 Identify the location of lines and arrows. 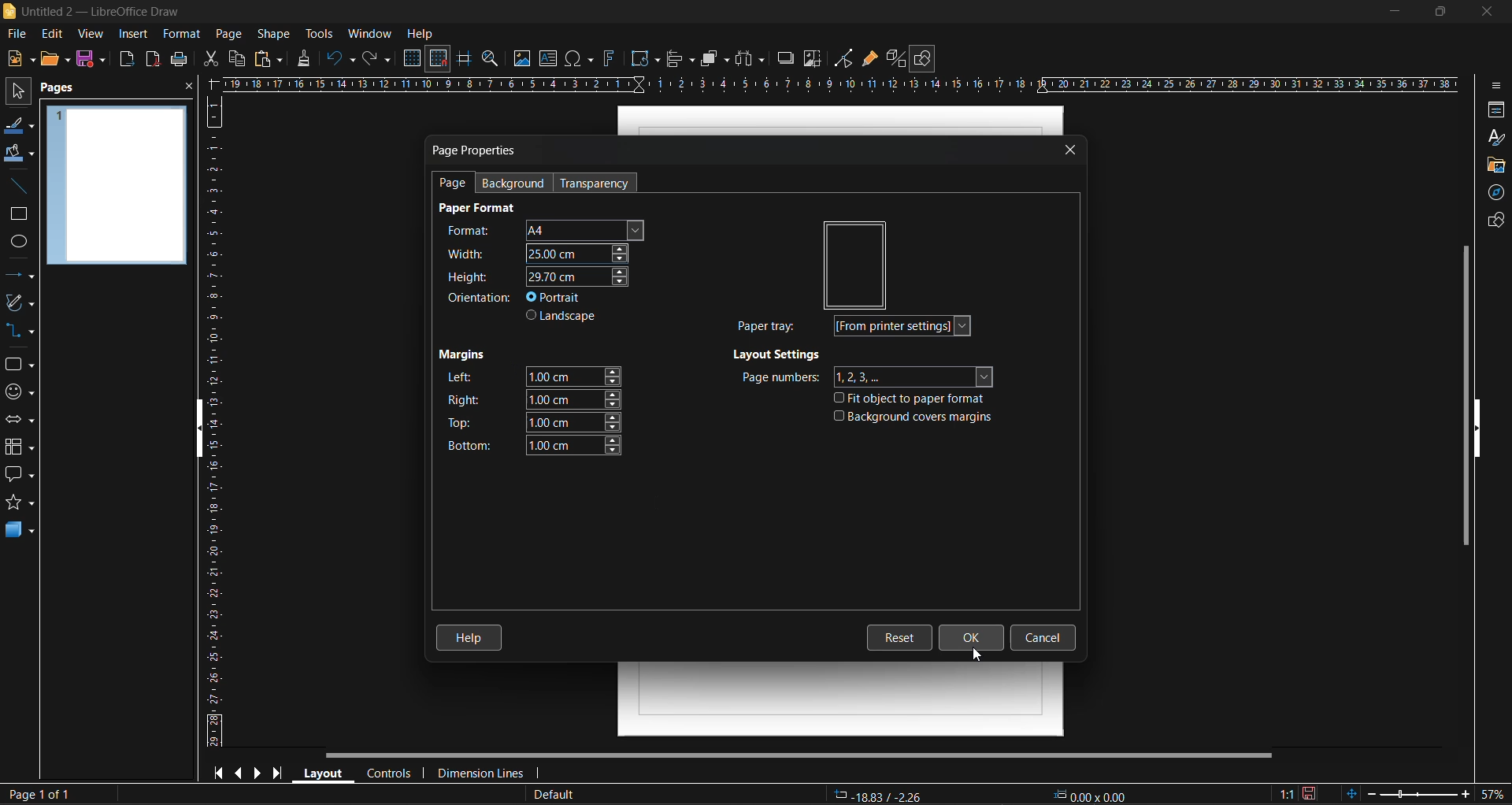
(20, 276).